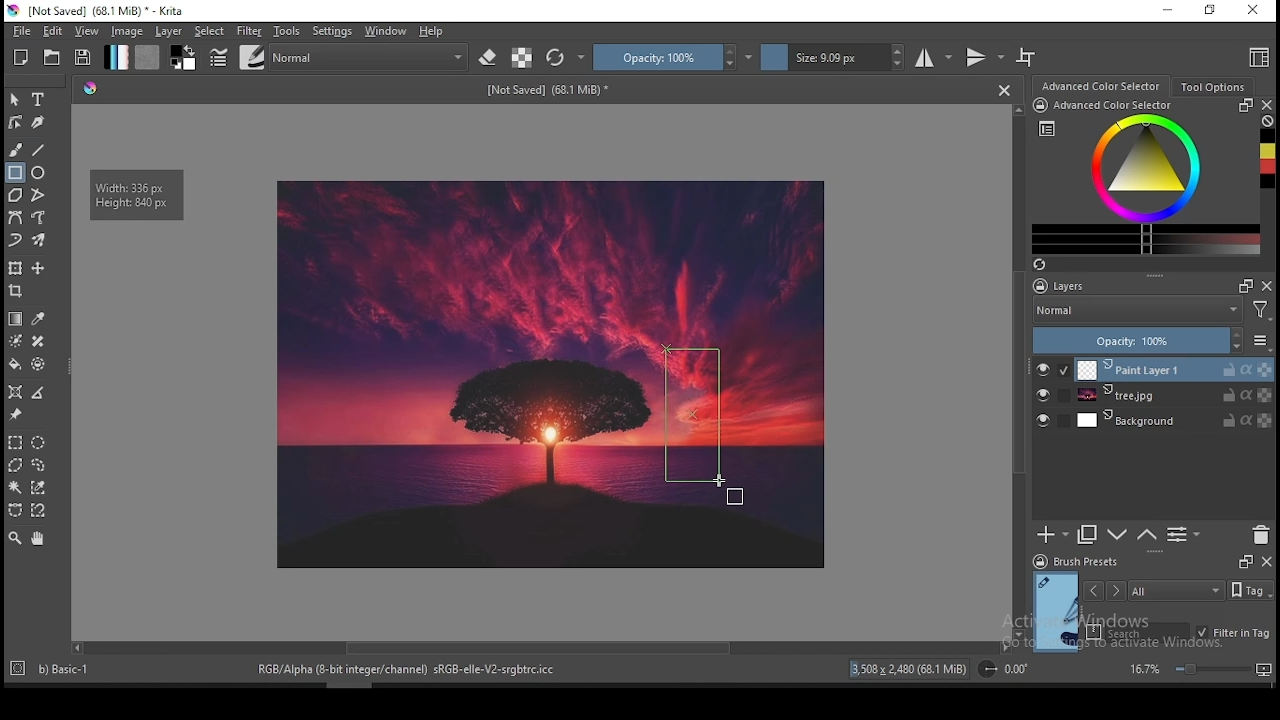 This screenshot has width=1280, height=720. What do you see at coordinates (15, 100) in the screenshot?
I see `selectshapes tool` at bounding box center [15, 100].